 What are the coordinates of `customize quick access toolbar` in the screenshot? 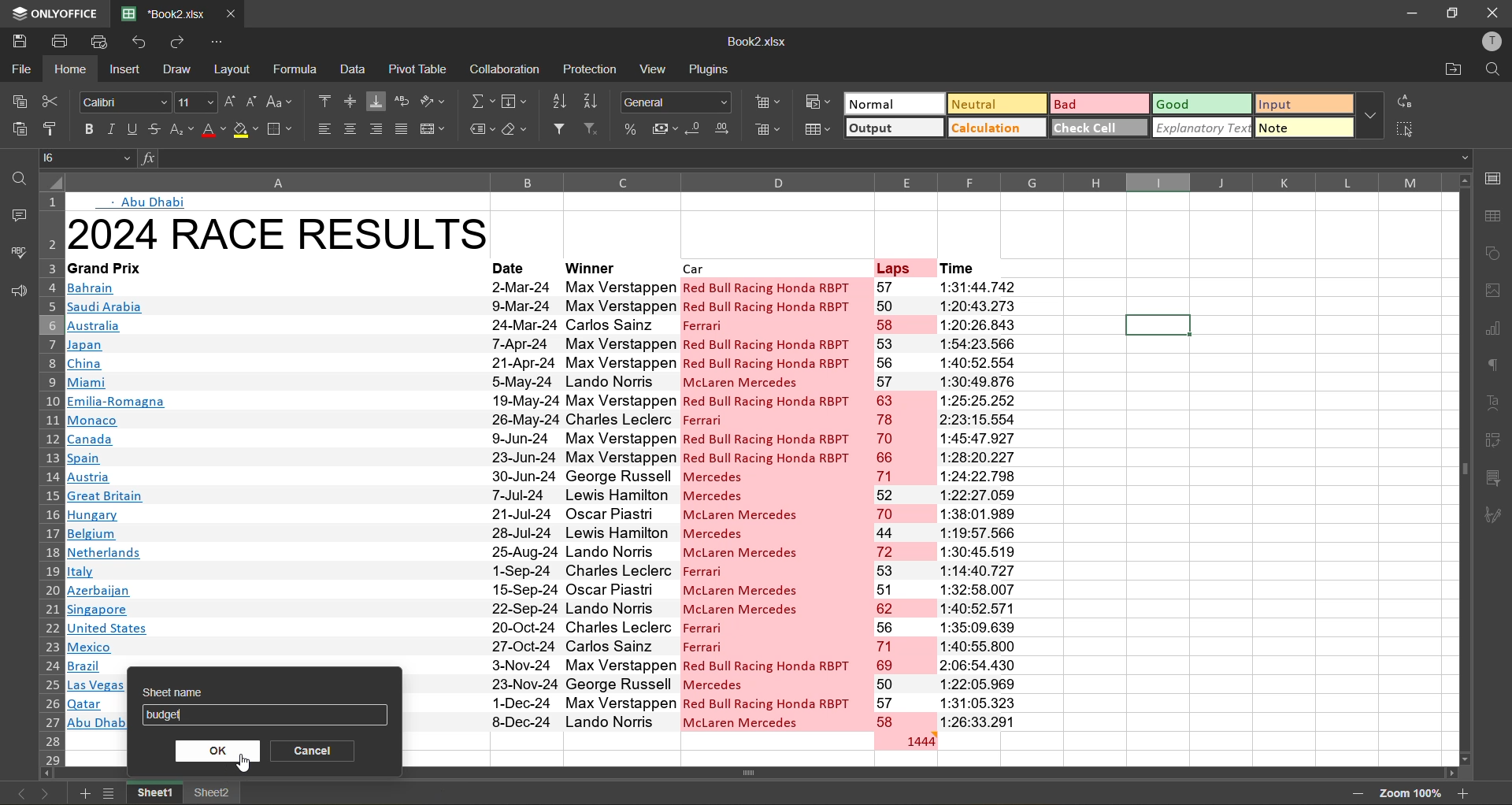 It's located at (219, 43).